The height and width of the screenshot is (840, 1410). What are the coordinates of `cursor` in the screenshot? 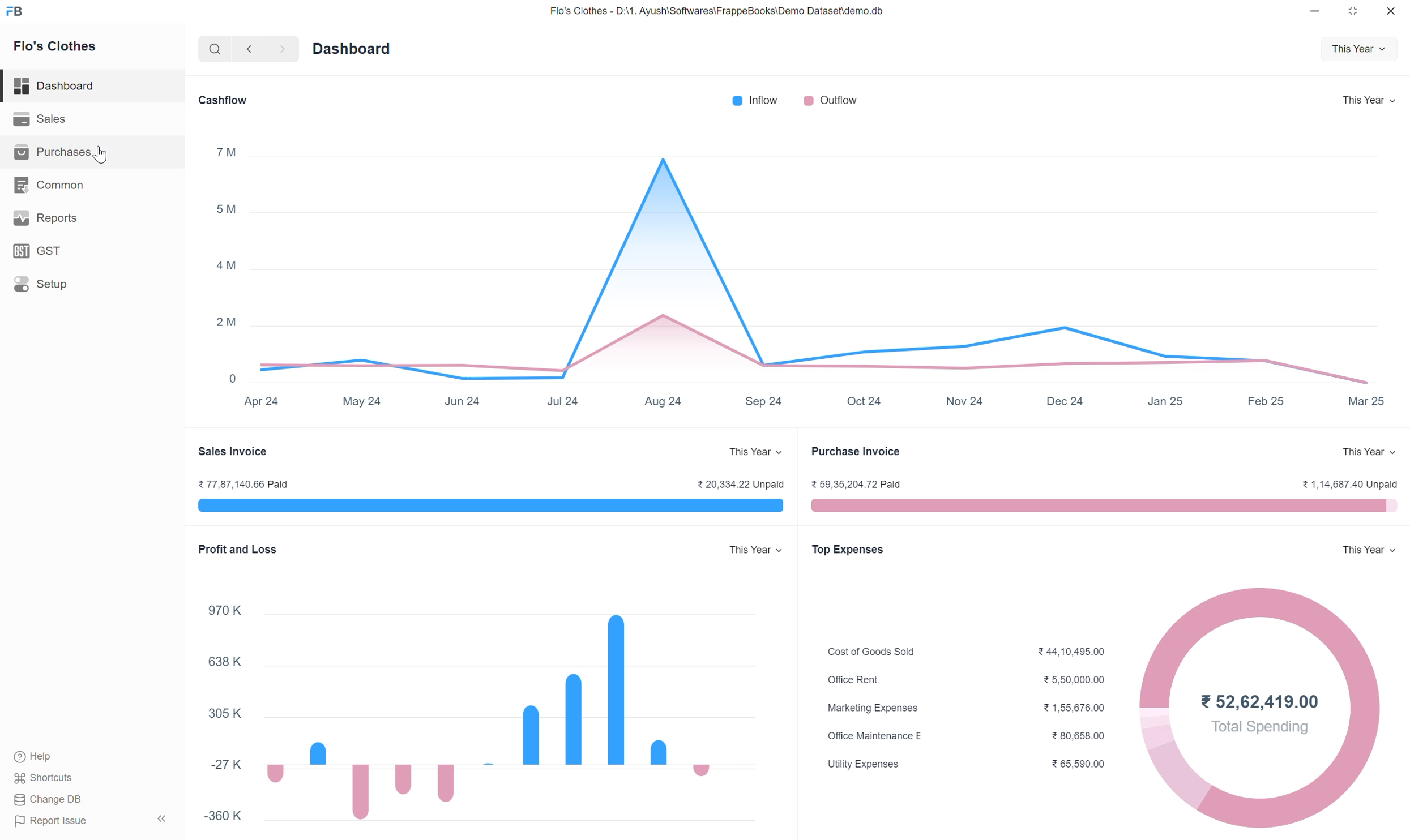 It's located at (106, 155).